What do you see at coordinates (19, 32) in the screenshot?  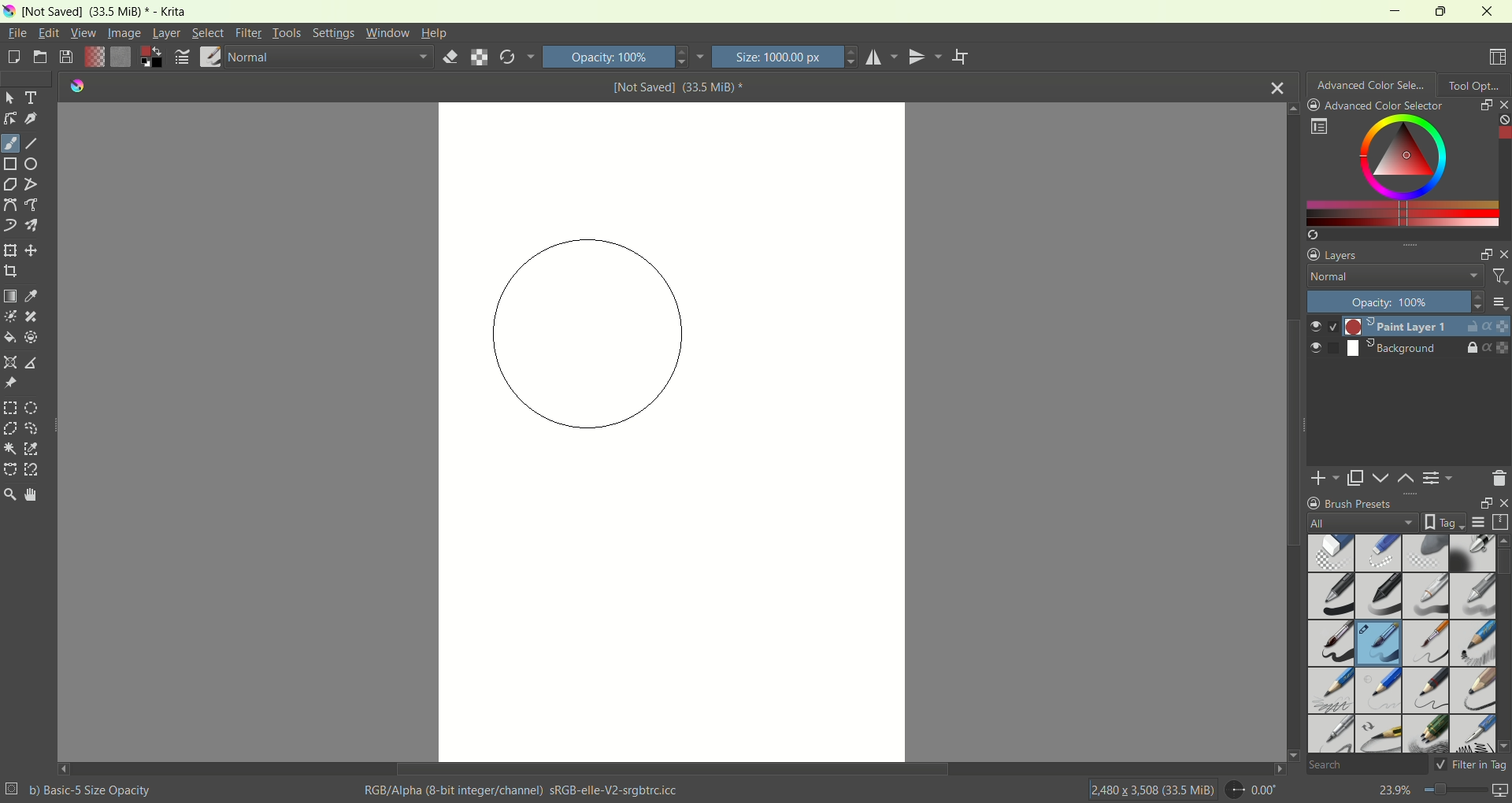 I see `file` at bounding box center [19, 32].